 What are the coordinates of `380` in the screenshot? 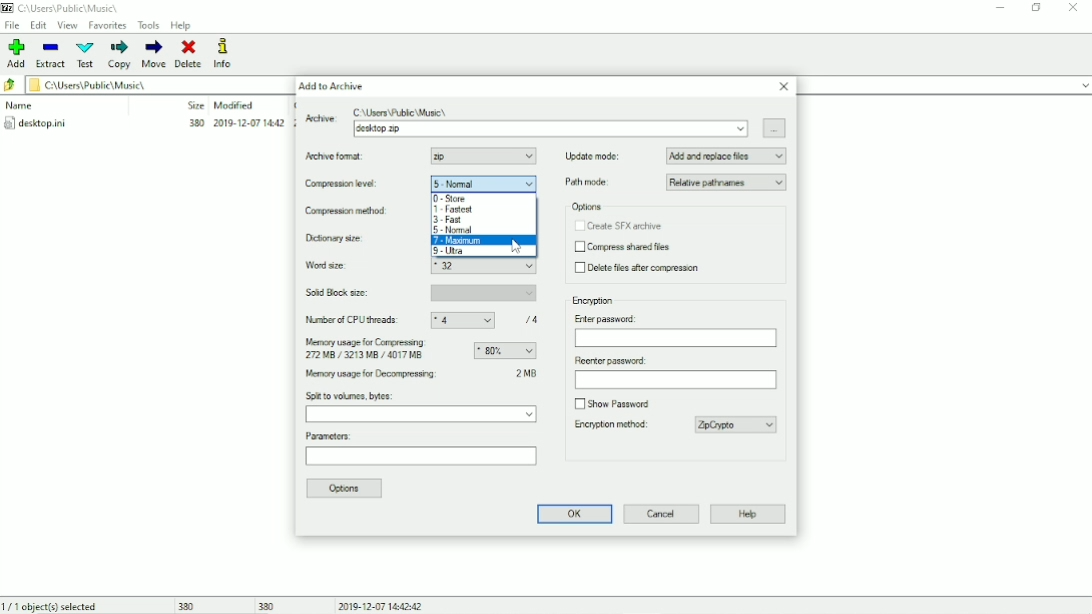 It's located at (187, 604).